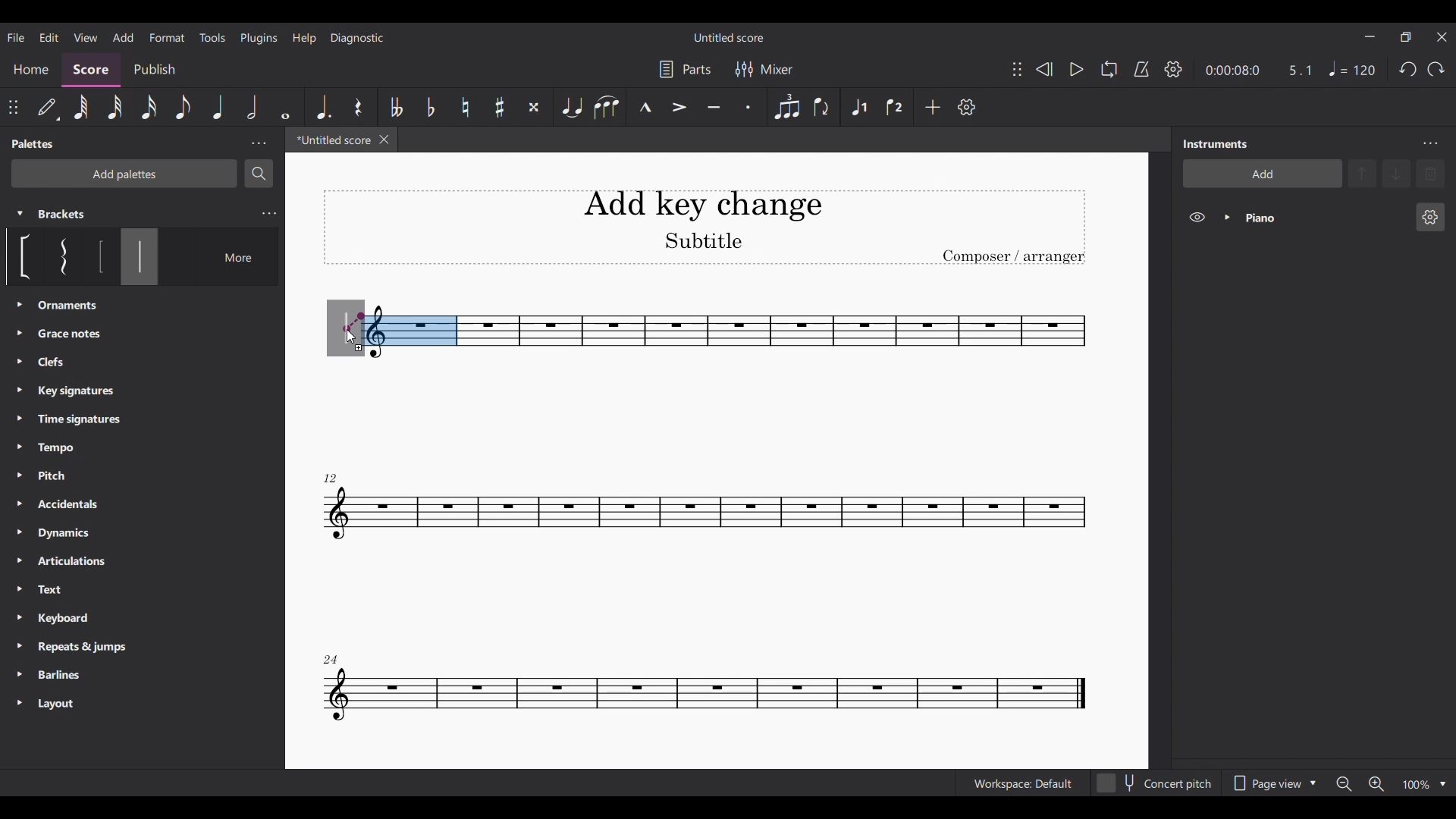 This screenshot has height=819, width=1456. What do you see at coordinates (12, 107) in the screenshot?
I see `Change position of toolbar` at bounding box center [12, 107].